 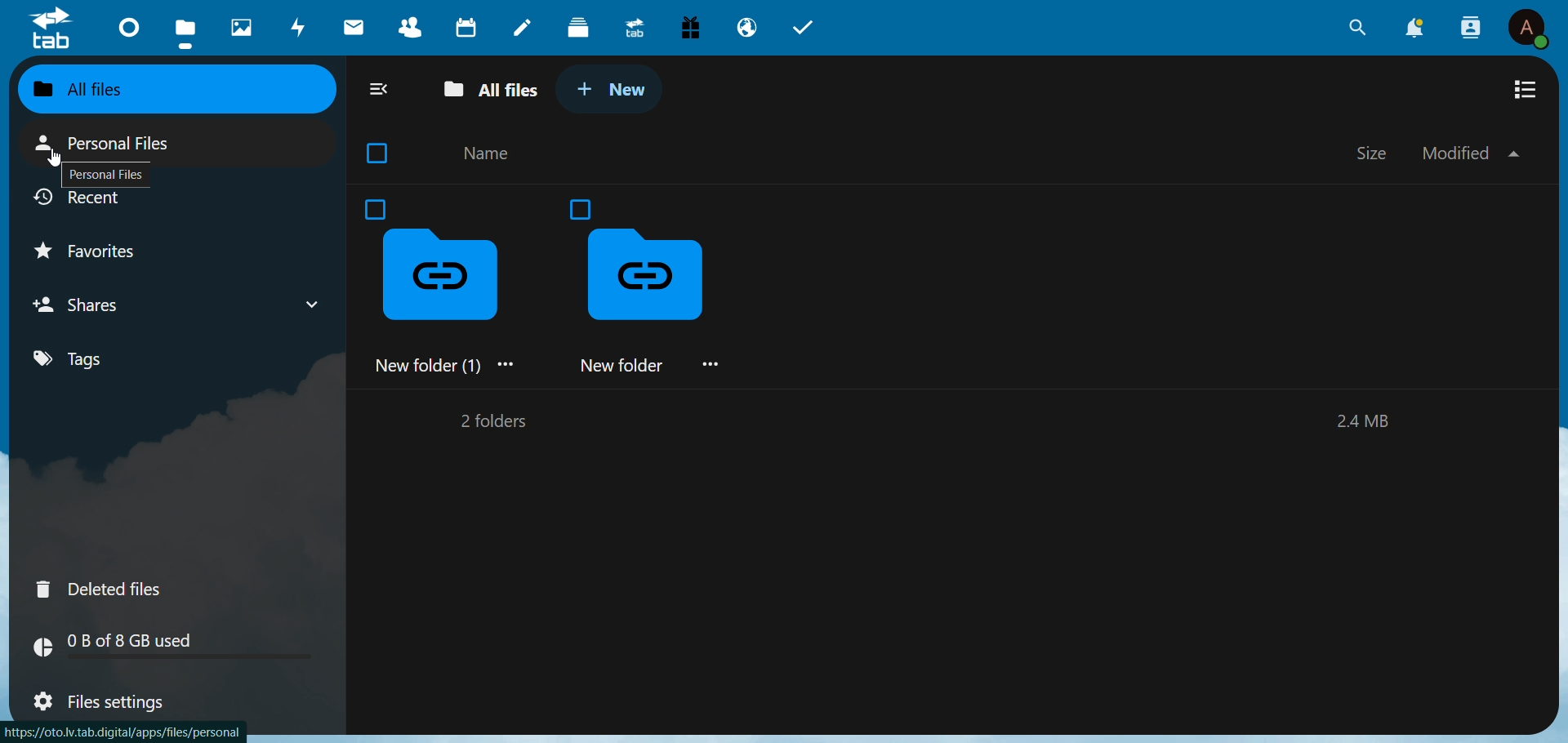 What do you see at coordinates (131, 25) in the screenshot?
I see `dashboard` at bounding box center [131, 25].